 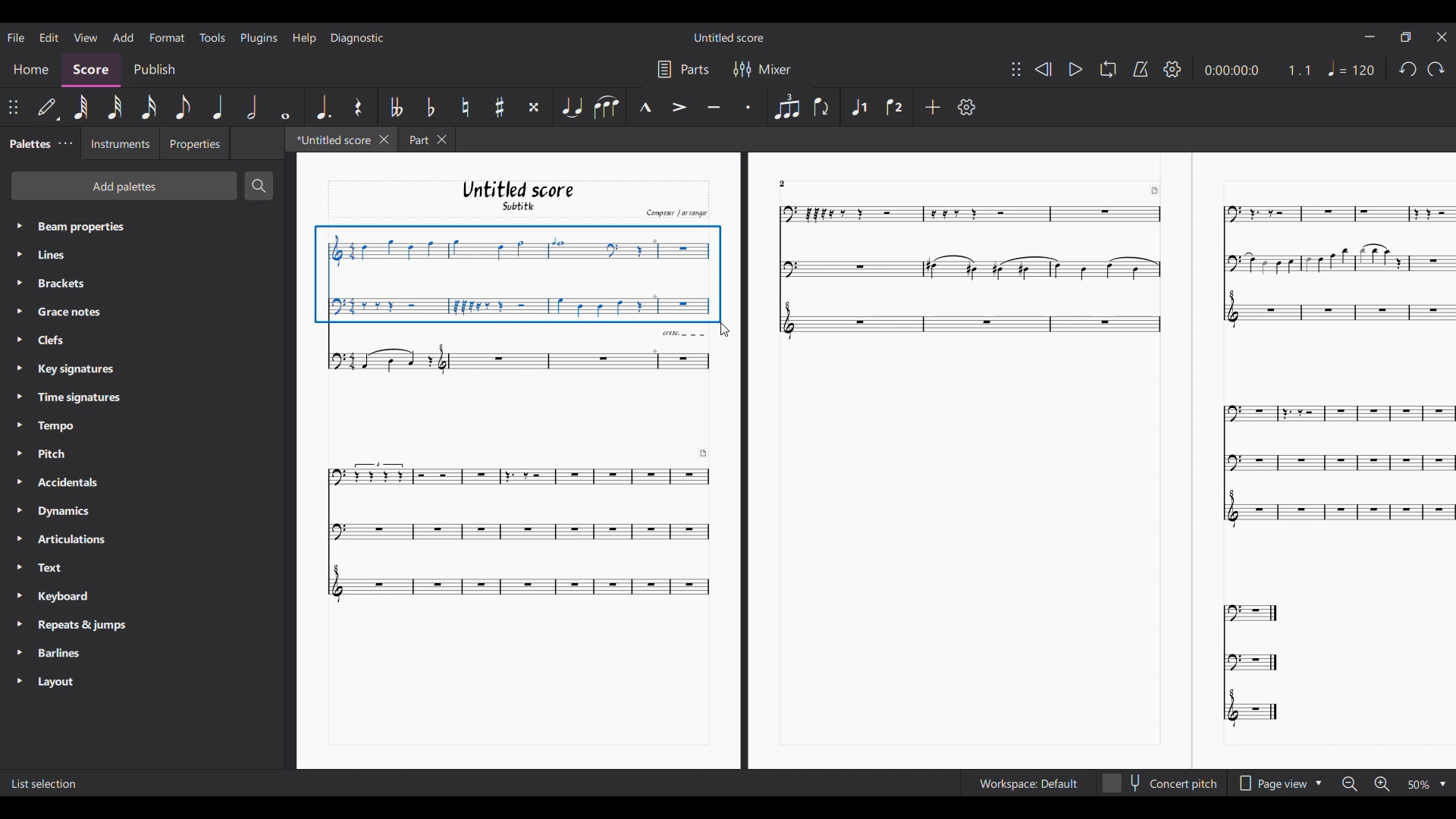 I want to click on 2, so click(x=792, y=183).